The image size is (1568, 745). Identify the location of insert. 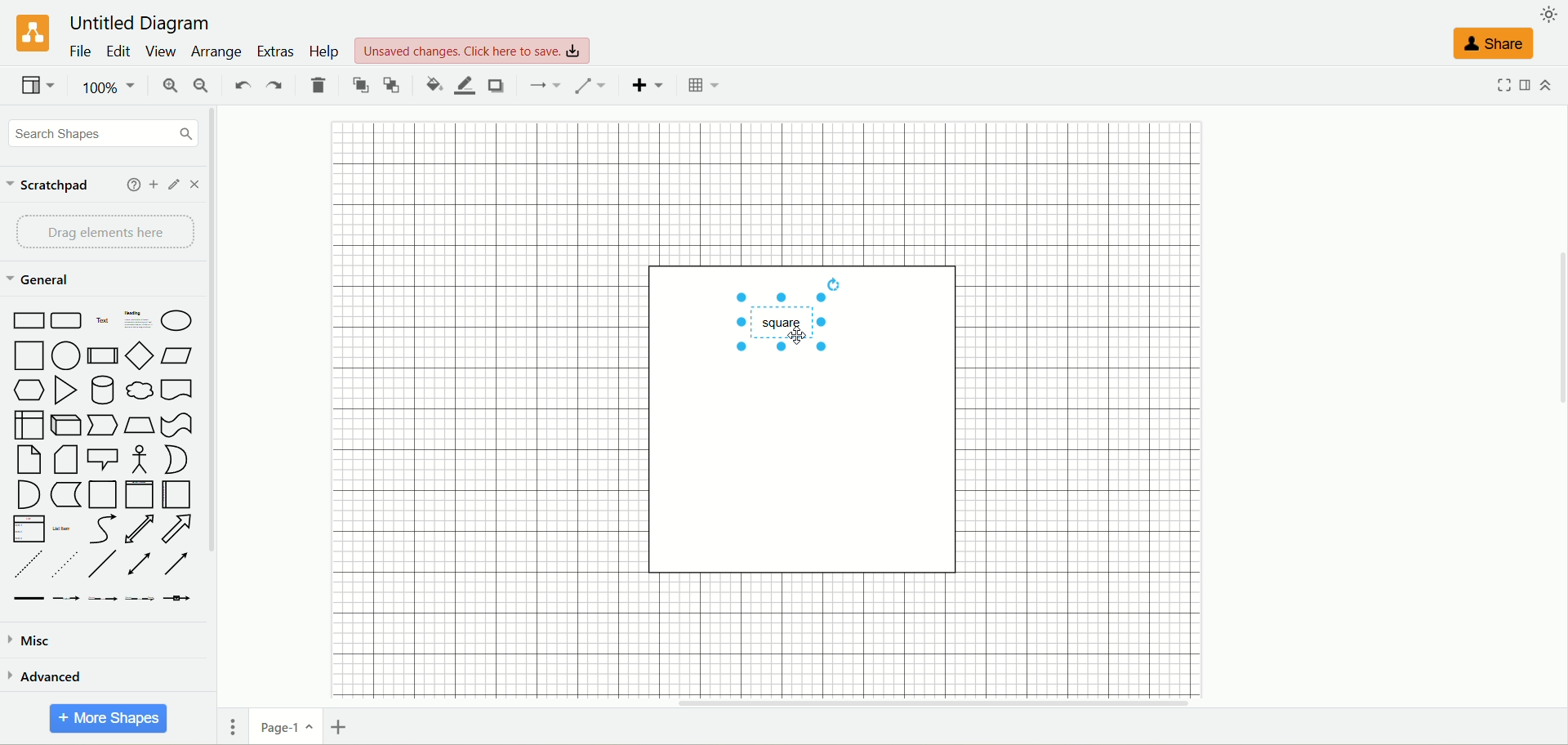
(649, 85).